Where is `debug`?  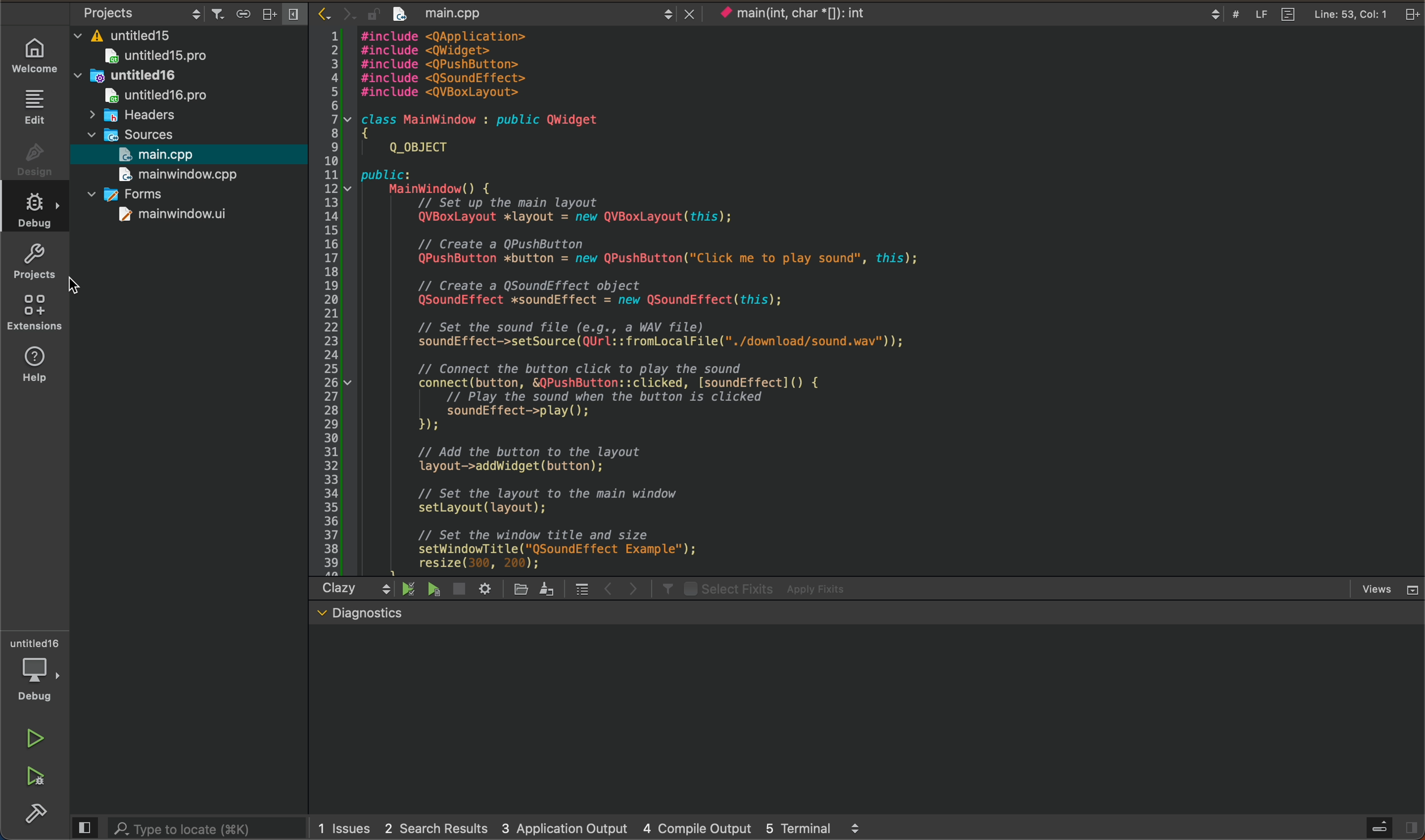 debug is located at coordinates (37, 668).